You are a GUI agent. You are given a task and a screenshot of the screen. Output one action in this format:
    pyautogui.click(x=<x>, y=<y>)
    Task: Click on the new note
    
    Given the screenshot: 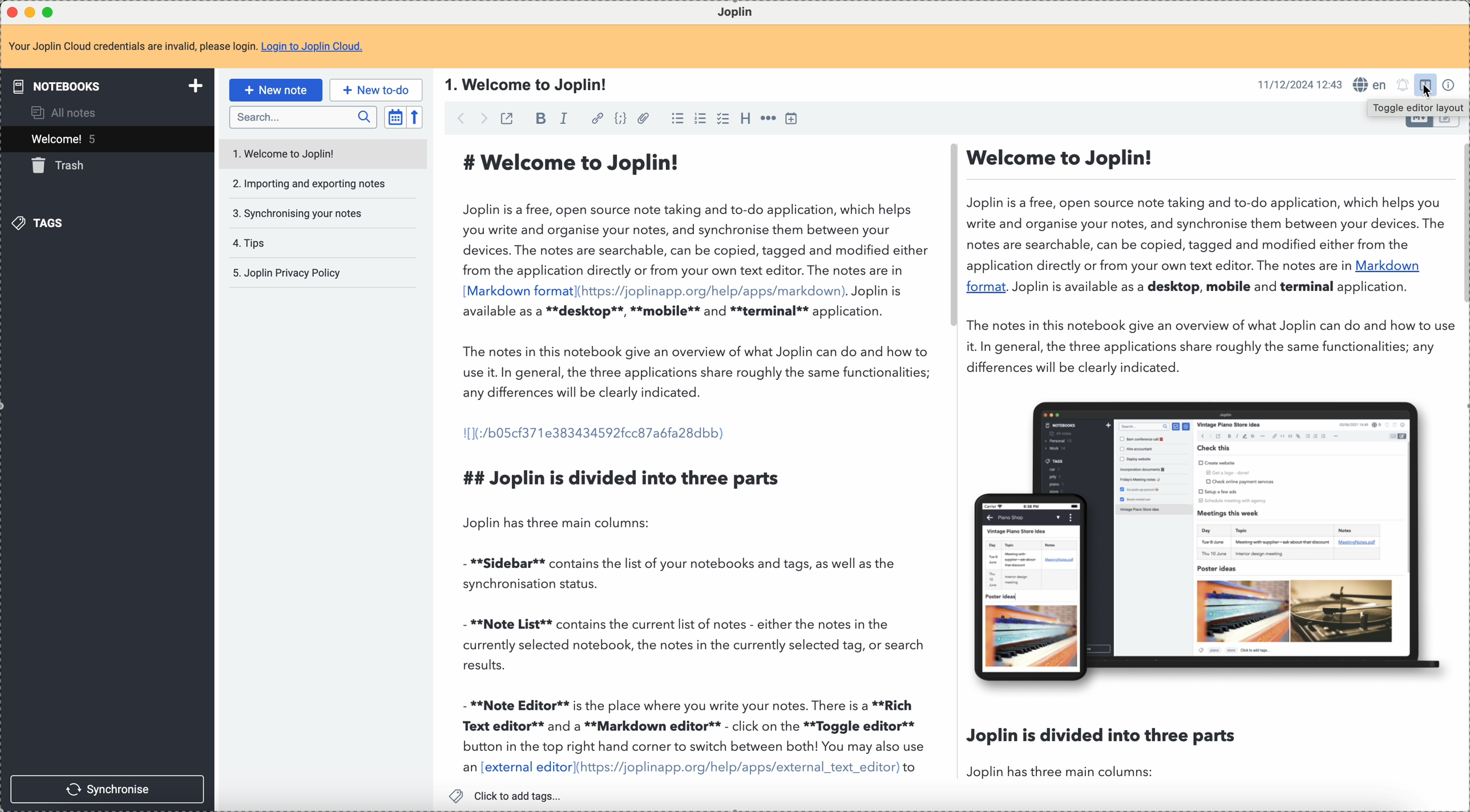 What is the action you would take?
    pyautogui.click(x=274, y=90)
    